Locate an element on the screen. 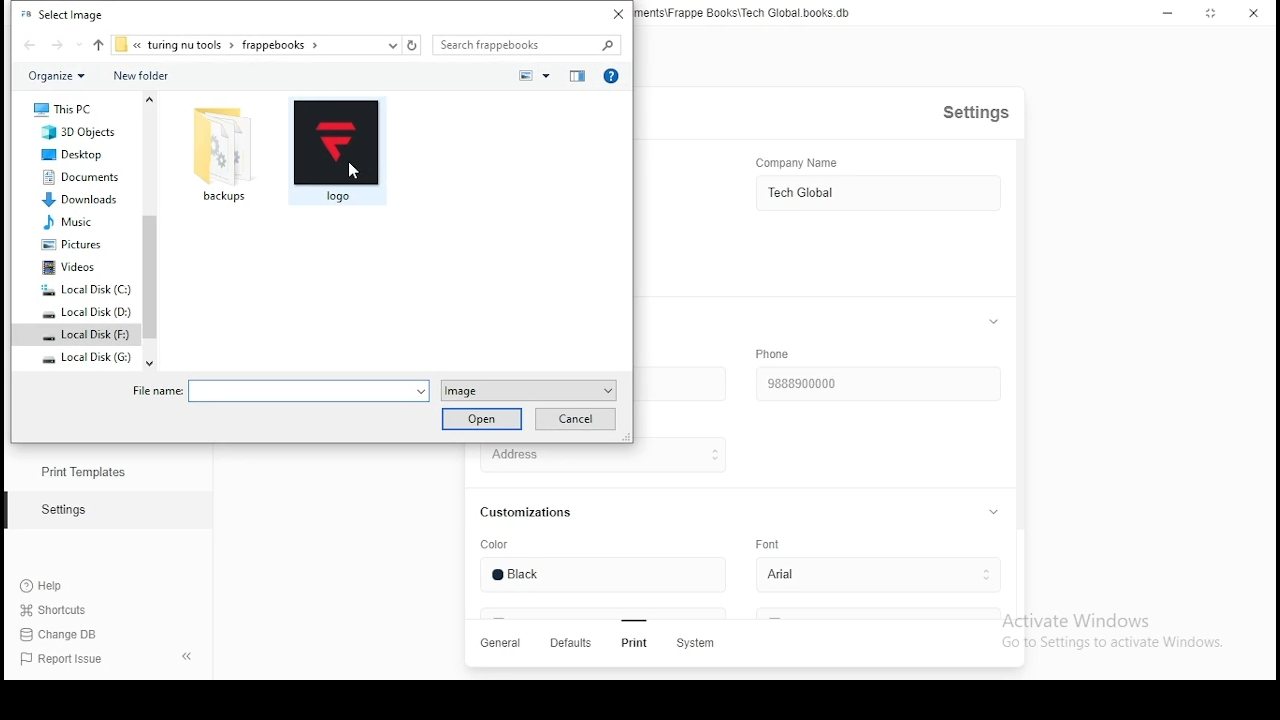 This screenshot has height=720, width=1280. Color is located at coordinates (504, 546).